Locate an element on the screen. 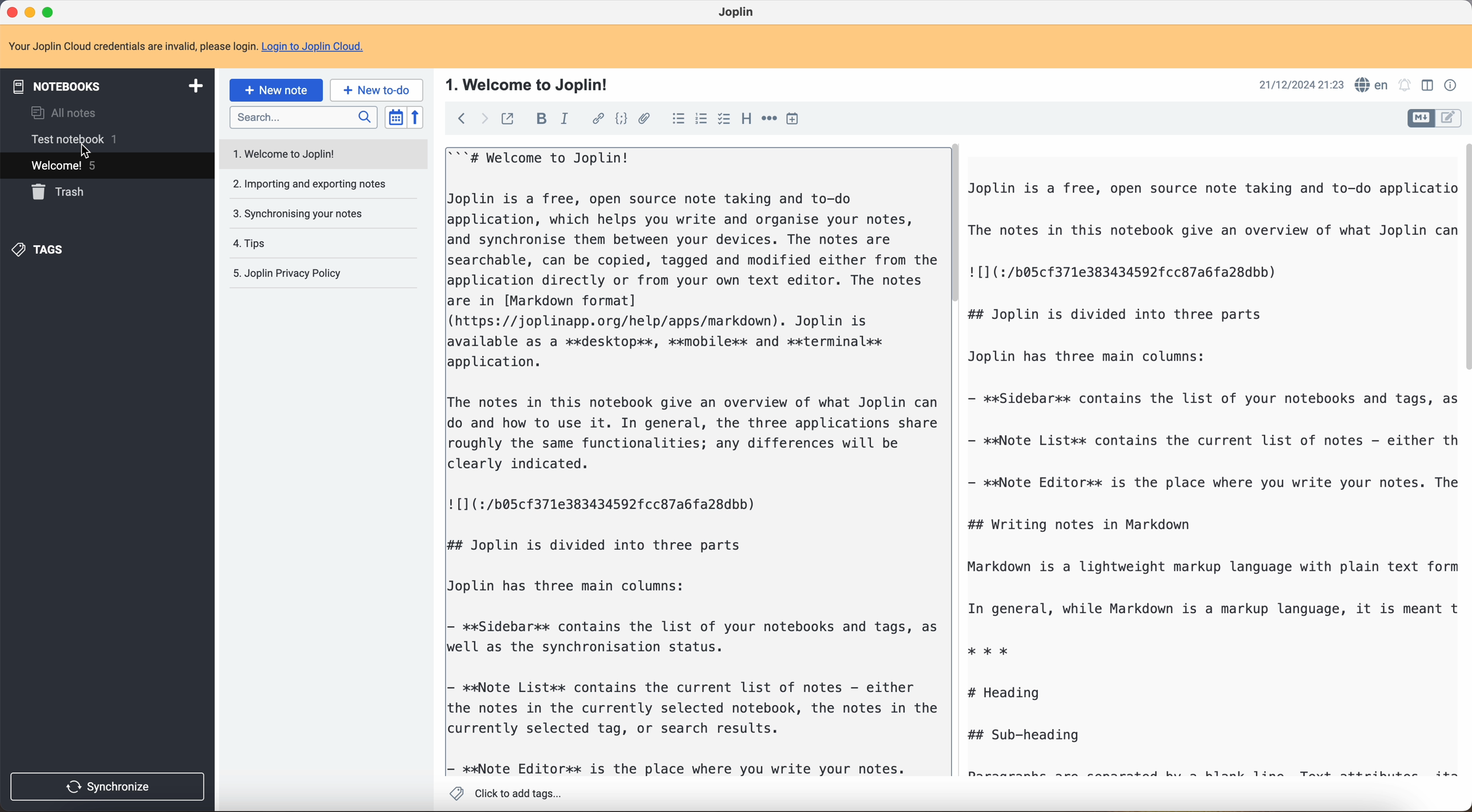  new note is located at coordinates (275, 89).